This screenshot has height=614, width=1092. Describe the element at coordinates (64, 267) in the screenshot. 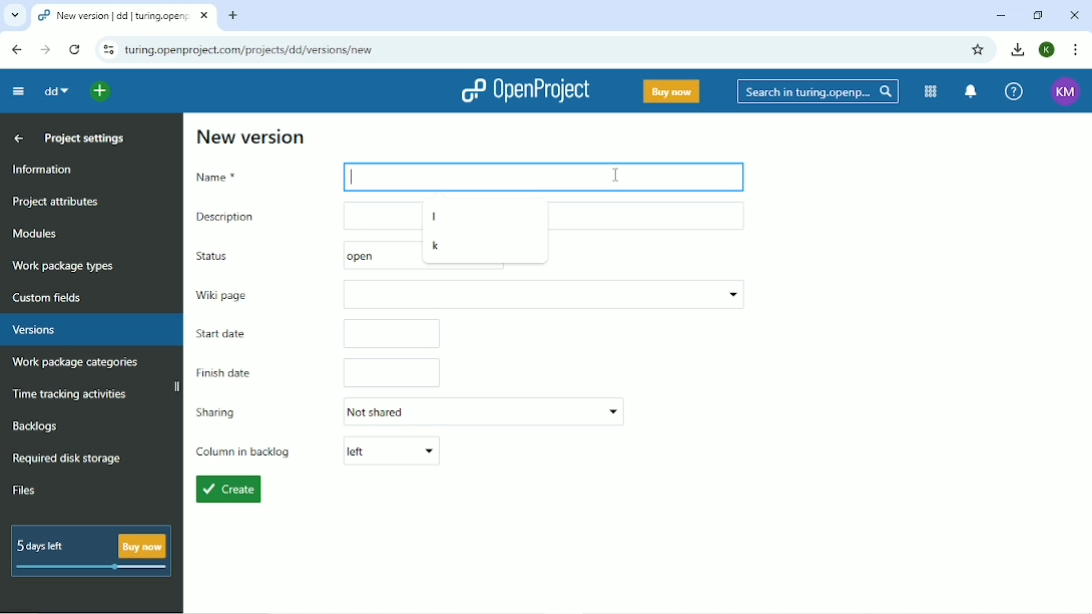

I see `Work package types` at that location.